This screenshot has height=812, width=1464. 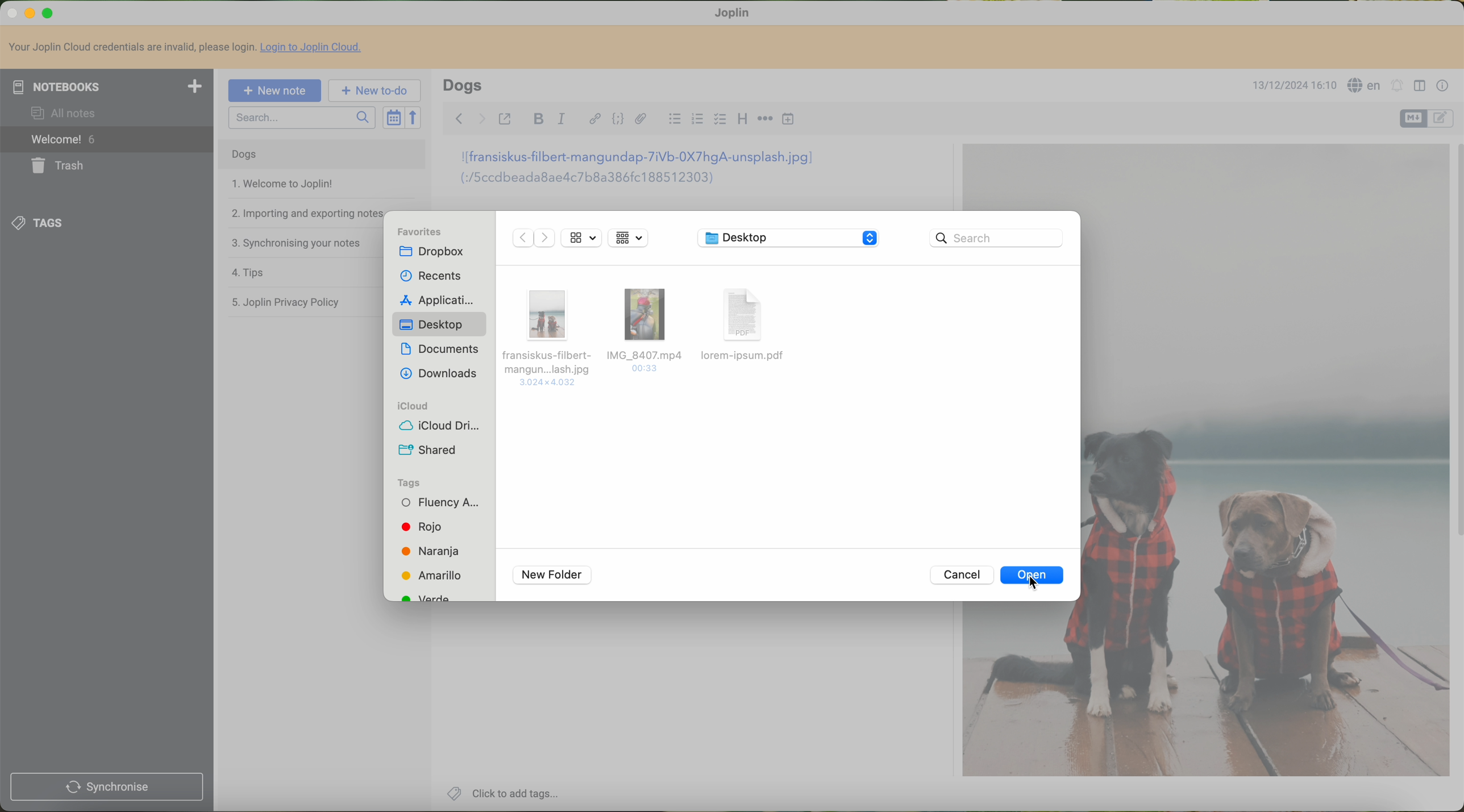 I want to click on welcome, so click(x=107, y=141).